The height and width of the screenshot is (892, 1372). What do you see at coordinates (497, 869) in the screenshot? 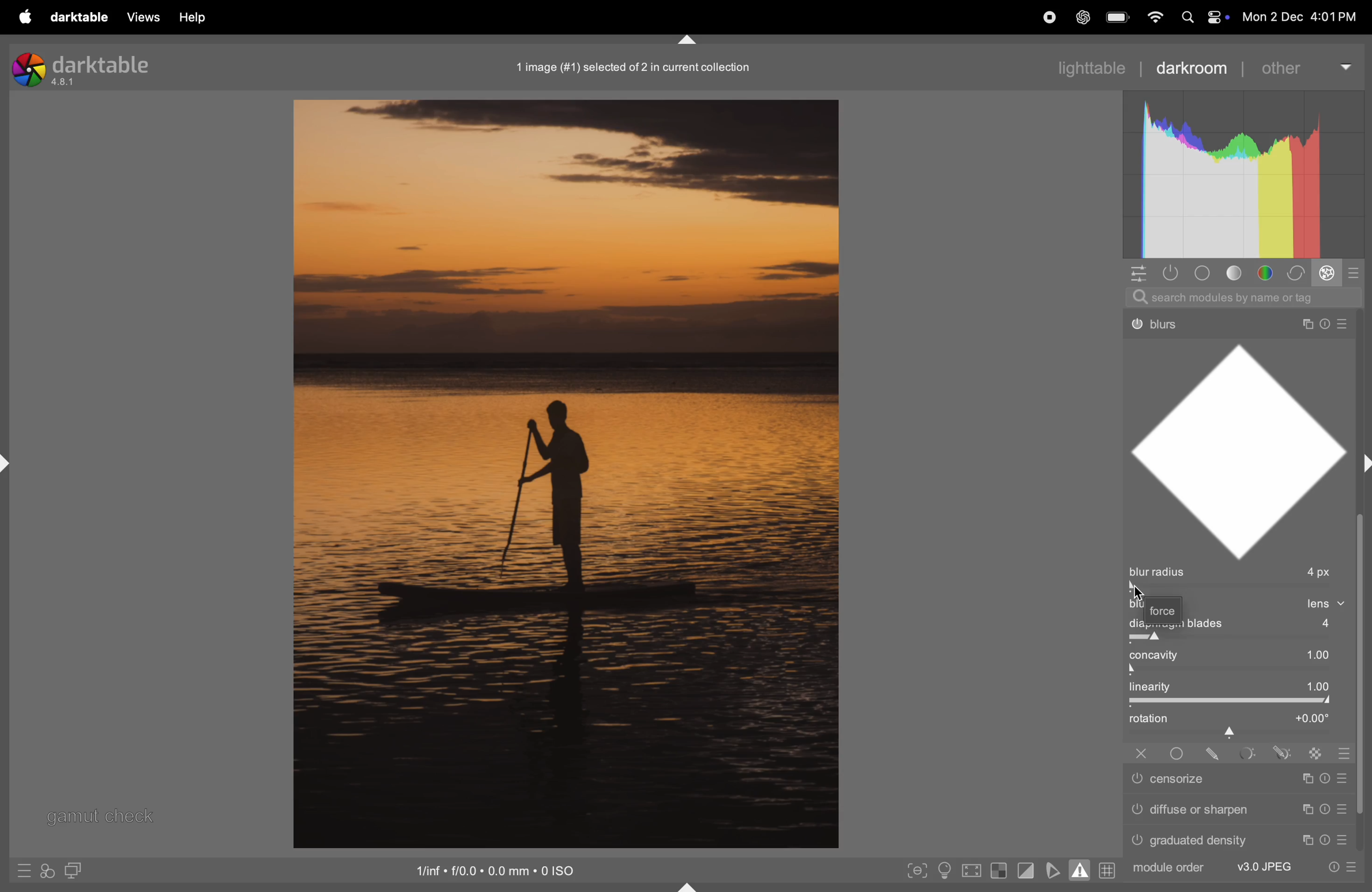
I see `iso satandard` at bounding box center [497, 869].